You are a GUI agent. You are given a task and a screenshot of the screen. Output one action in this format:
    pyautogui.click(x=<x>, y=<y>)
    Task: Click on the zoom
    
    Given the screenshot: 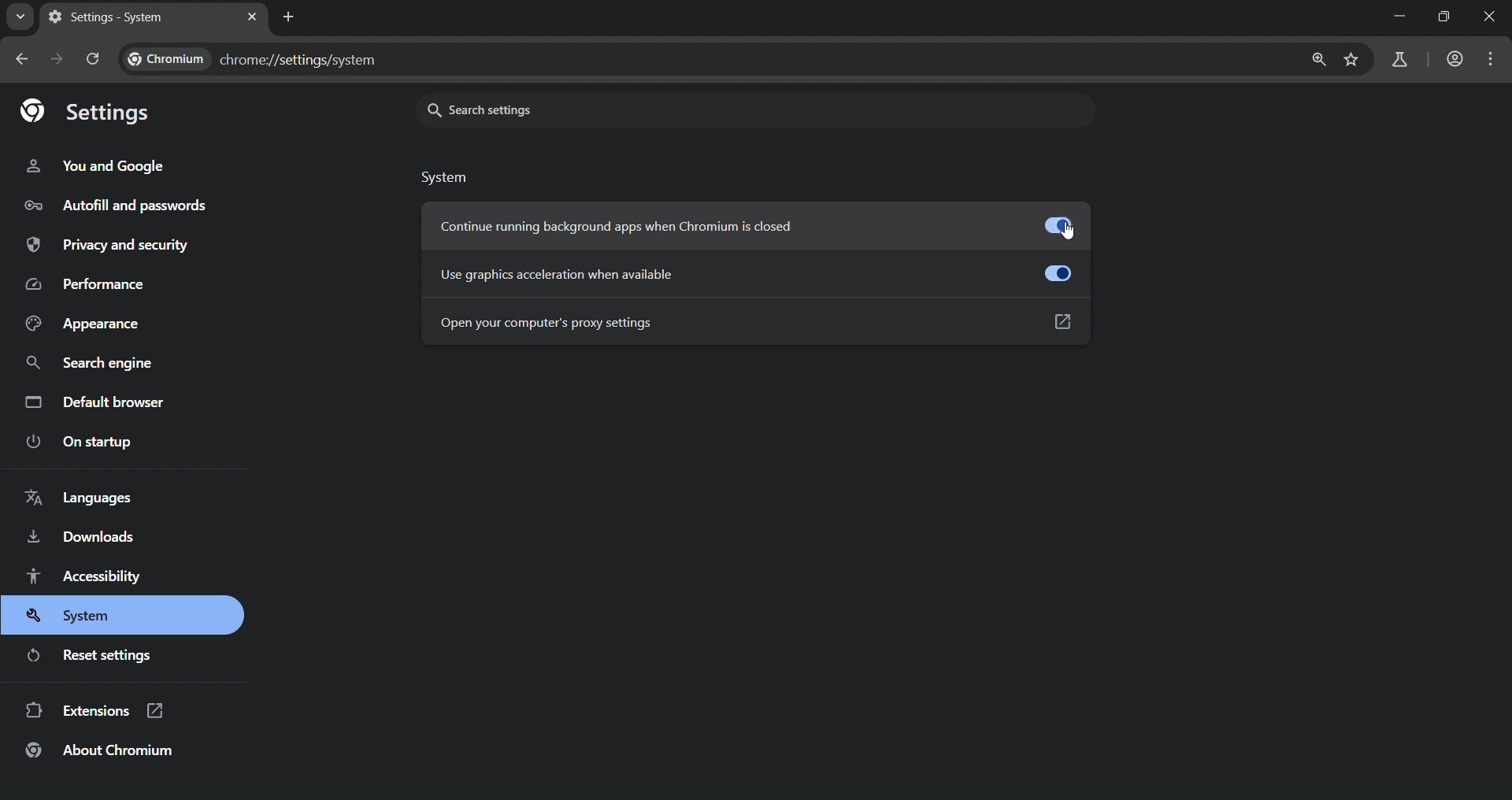 What is the action you would take?
    pyautogui.click(x=1318, y=59)
    